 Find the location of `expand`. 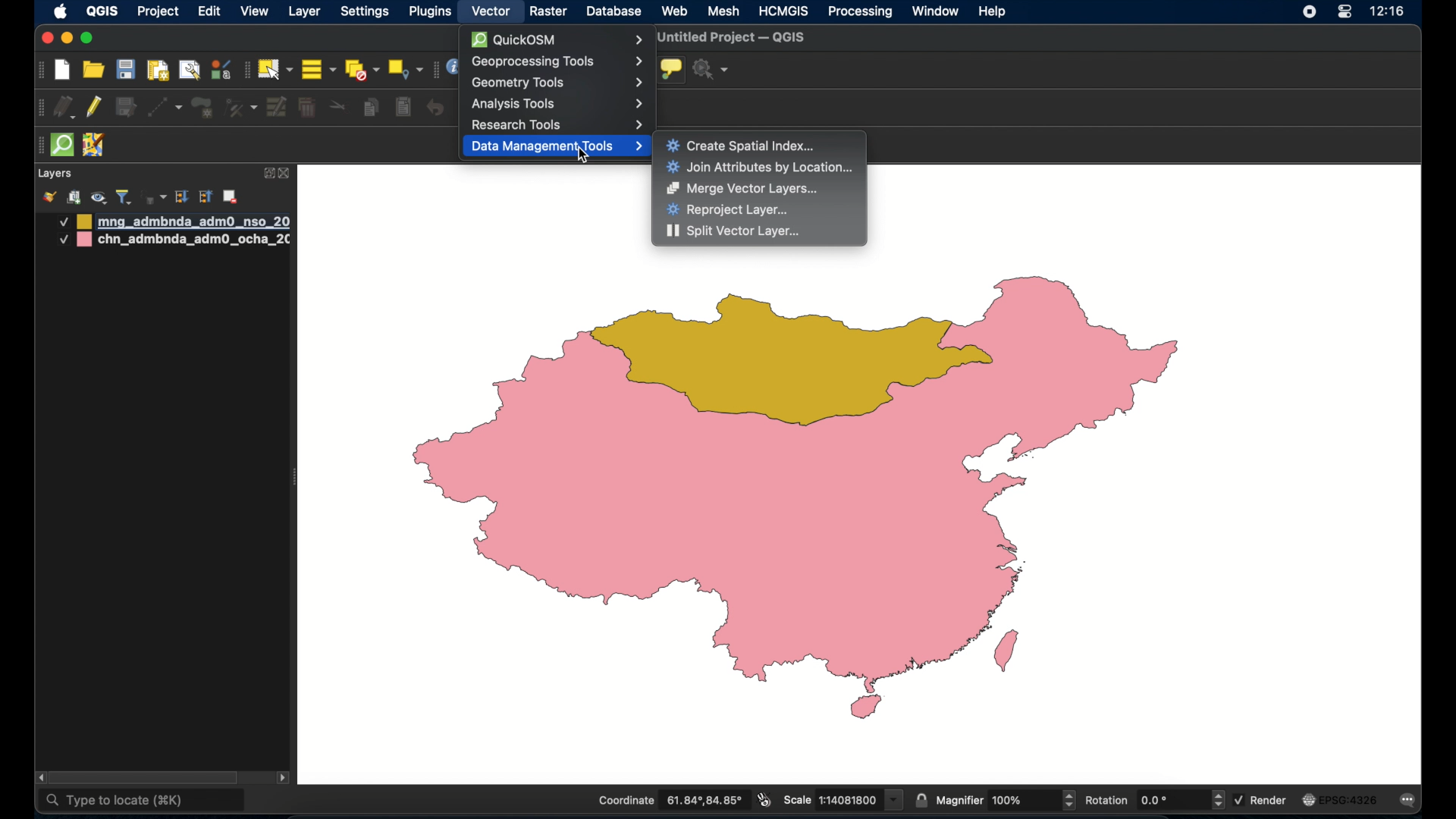

expand is located at coordinates (268, 172).